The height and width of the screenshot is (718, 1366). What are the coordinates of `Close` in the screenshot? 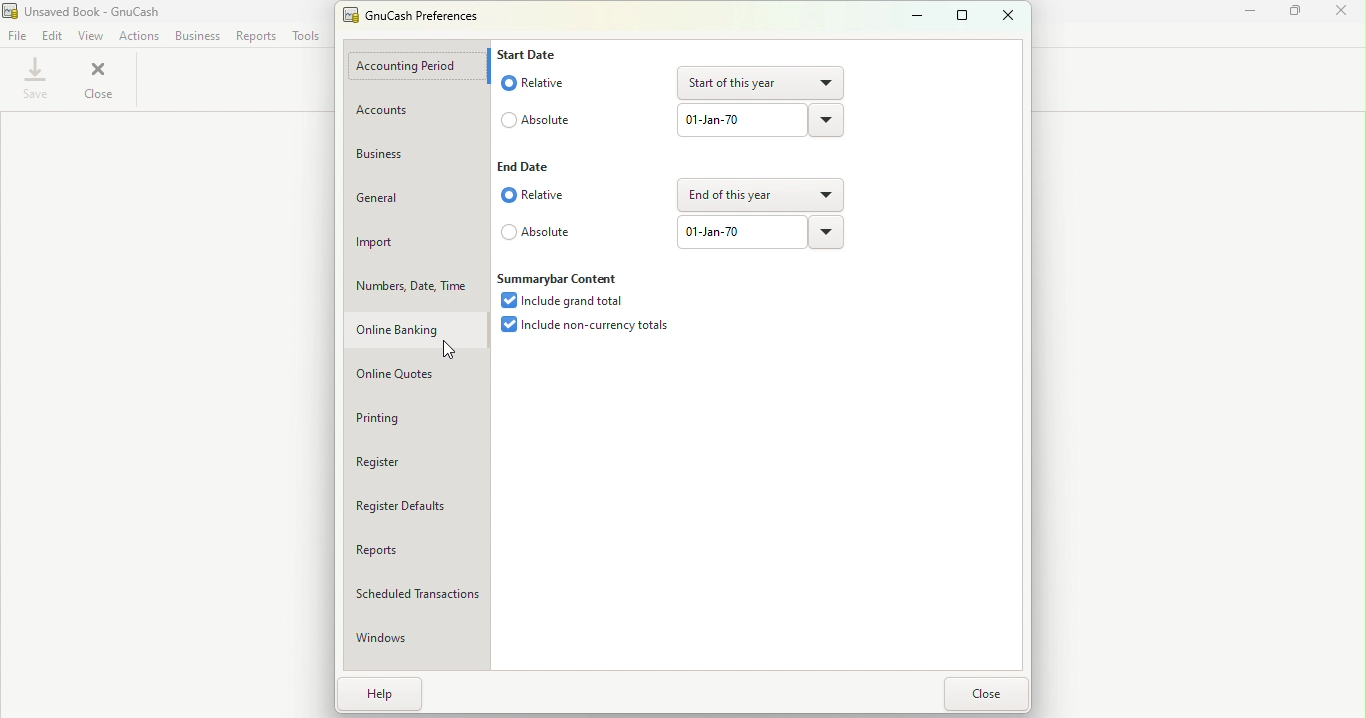 It's located at (108, 81).